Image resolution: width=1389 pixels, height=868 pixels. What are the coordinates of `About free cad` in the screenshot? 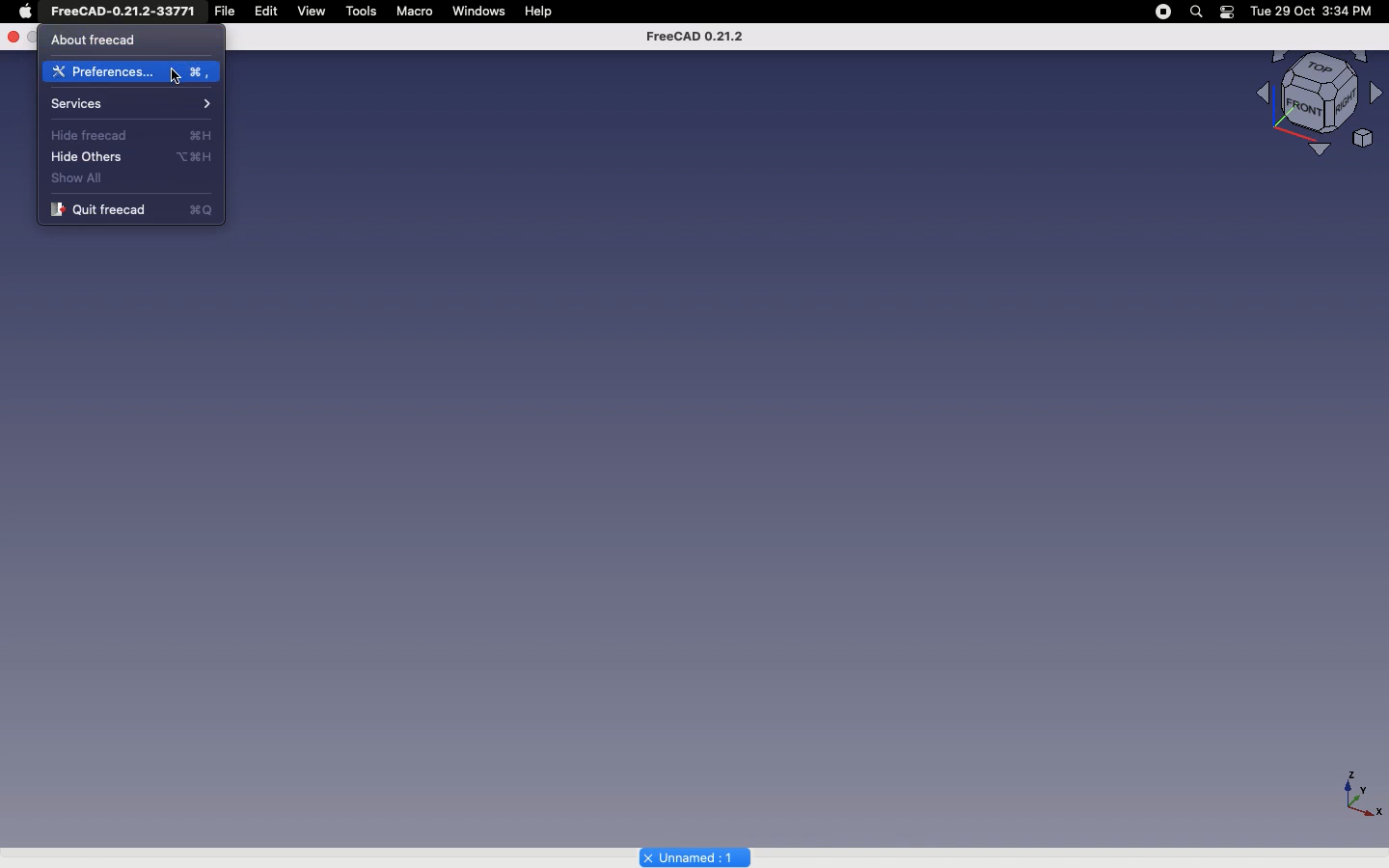 It's located at (99, 40).